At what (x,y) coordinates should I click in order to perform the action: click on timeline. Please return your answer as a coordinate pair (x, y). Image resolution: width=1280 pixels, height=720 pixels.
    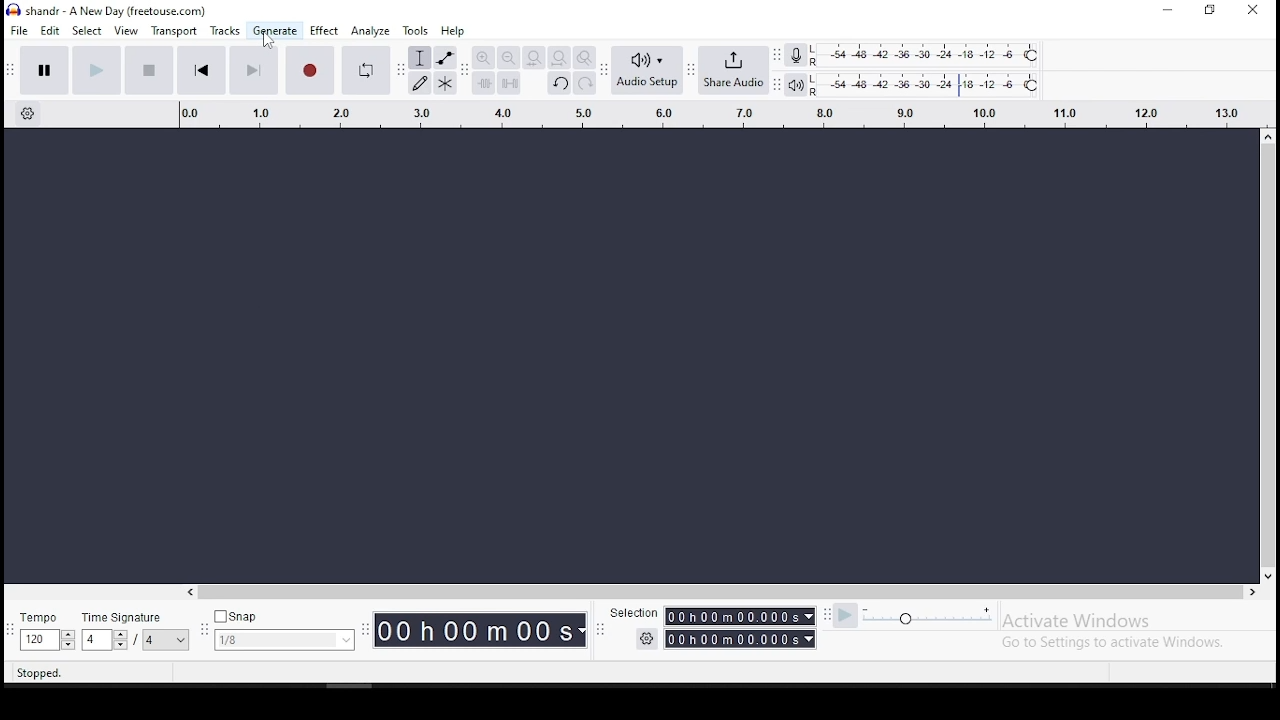
    Looking at the image, I should click on (712, 116).